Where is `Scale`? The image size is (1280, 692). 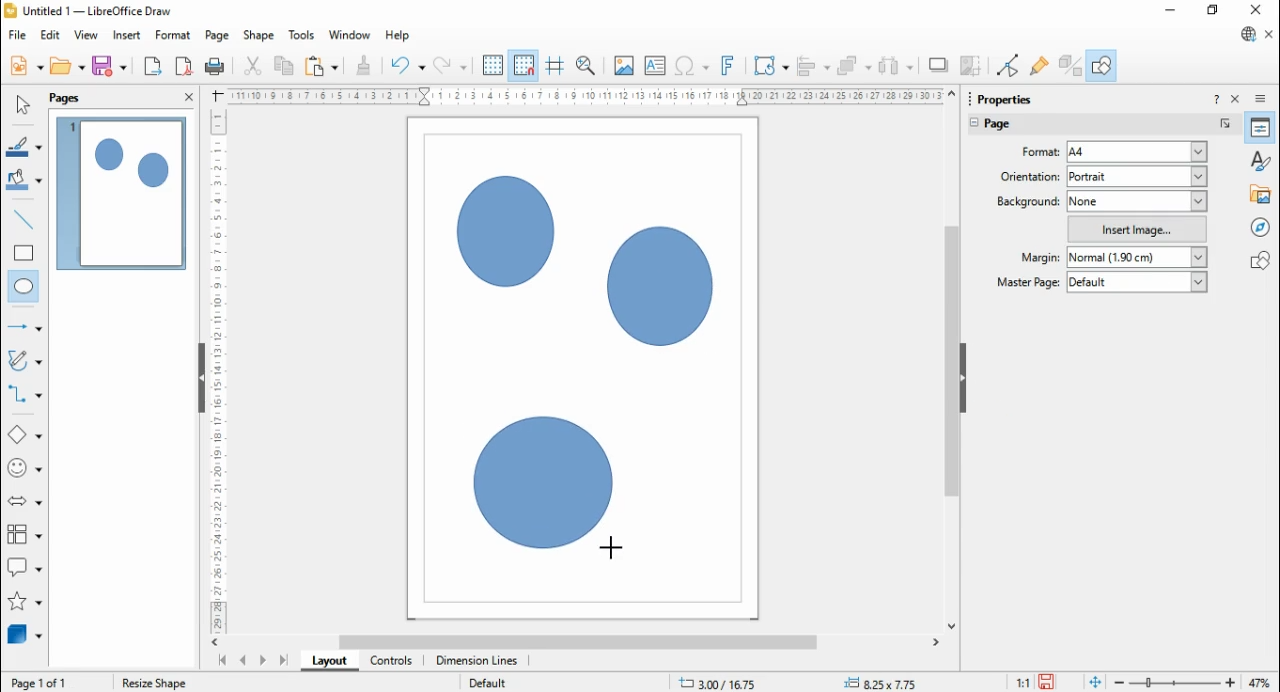
Scale is located at coordinates (585, 96).